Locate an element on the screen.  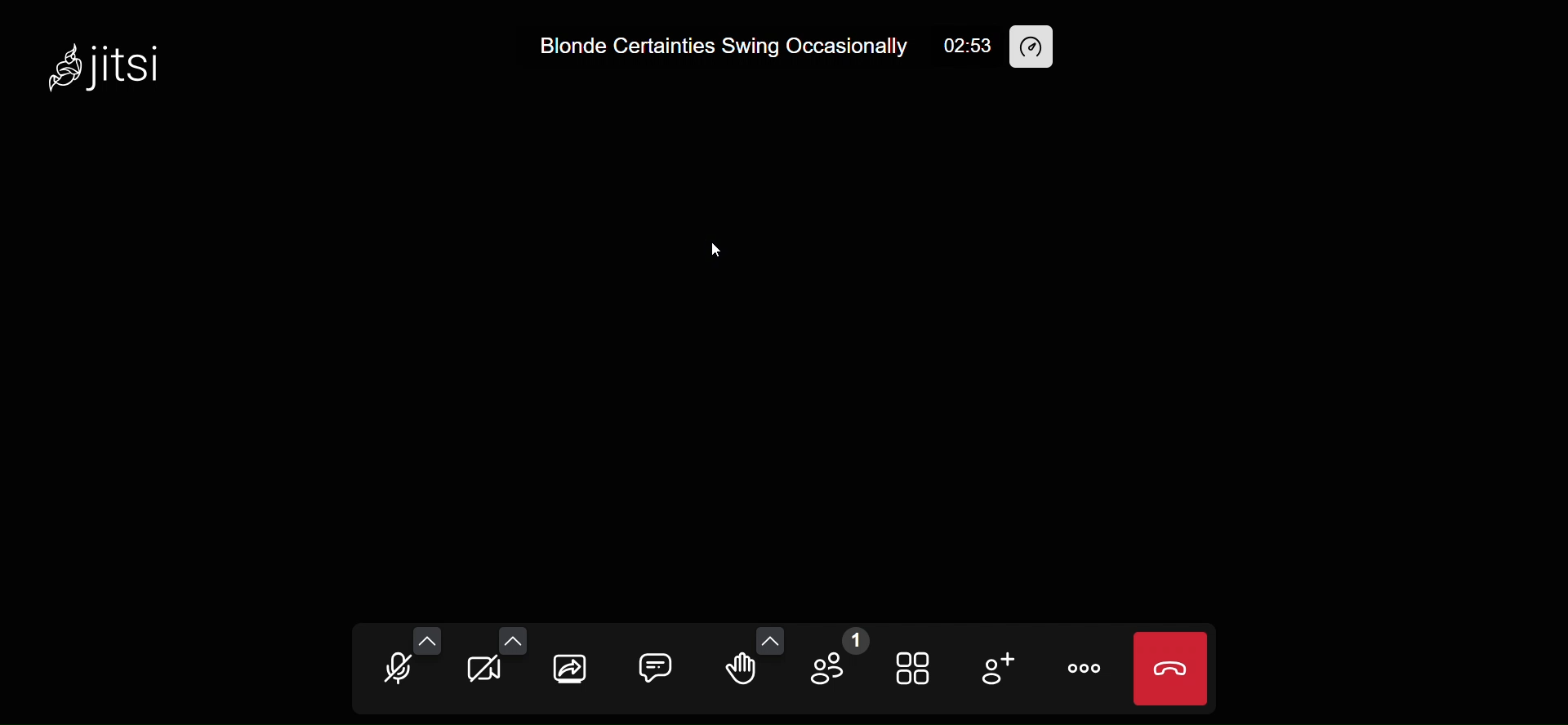
microphone is located at coordinates (400, 674).